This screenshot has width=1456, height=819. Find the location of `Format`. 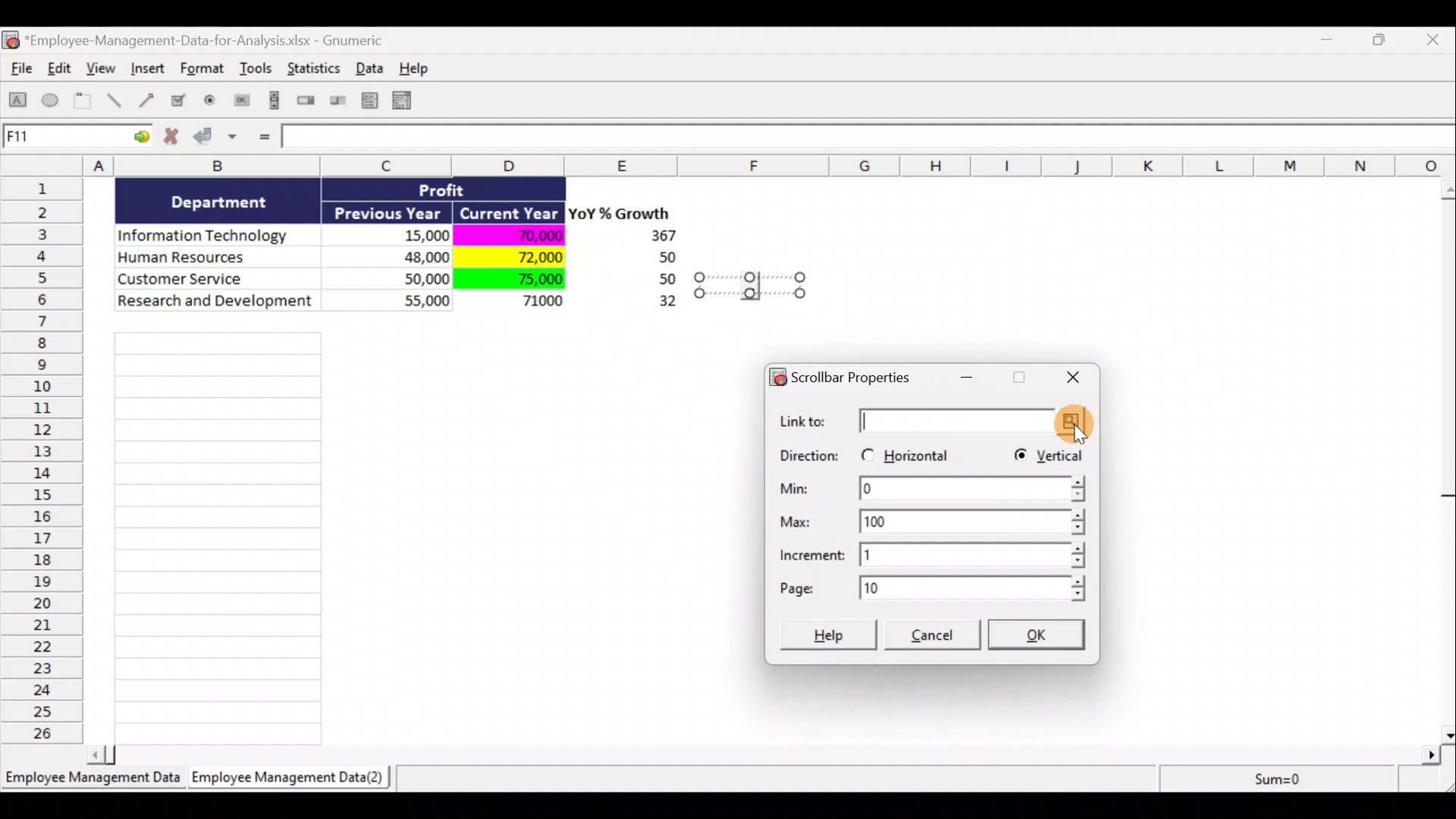

Format is located at coordinates (204, 71).